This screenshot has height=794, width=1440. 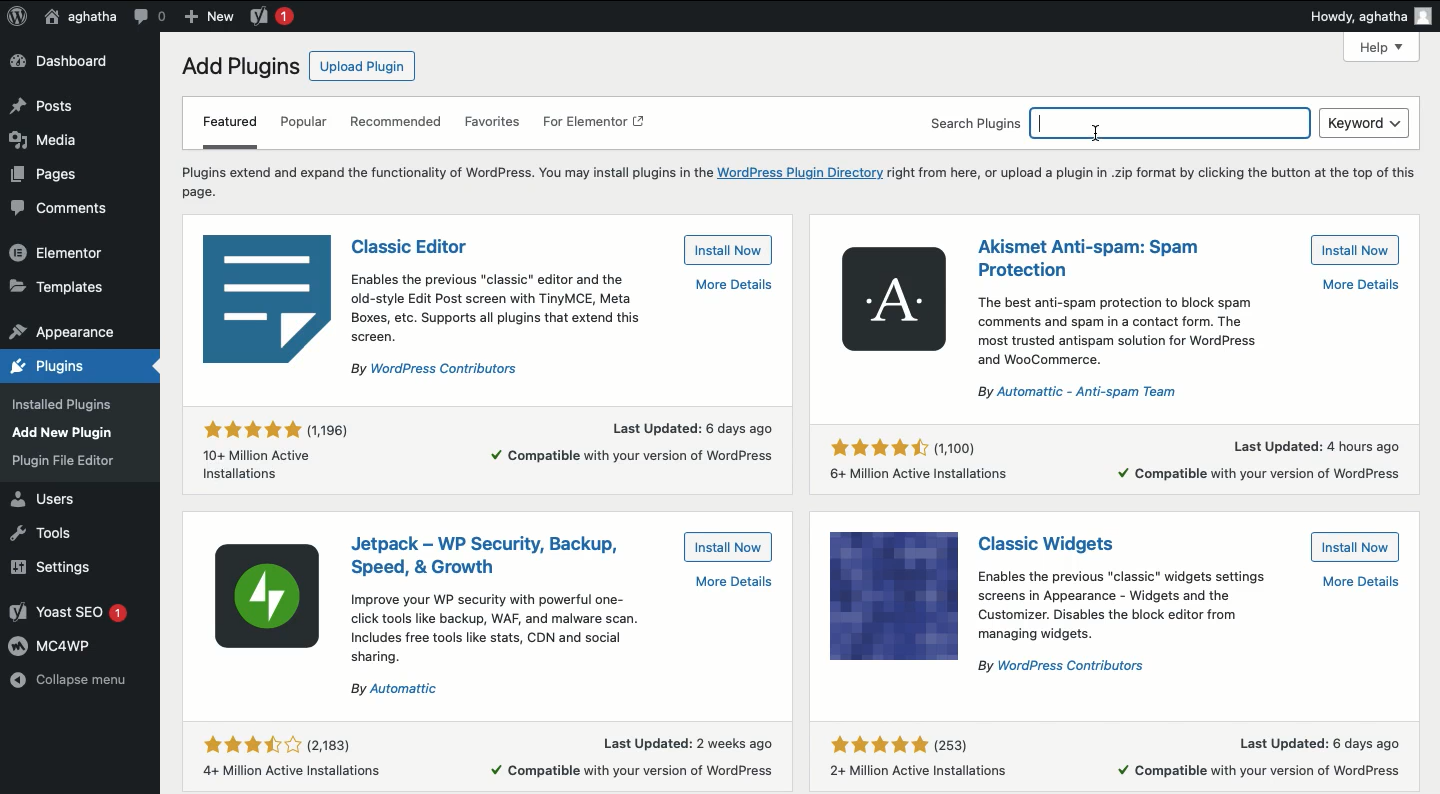 What do you see at coordinates (1191, 620) in the screenshot?
I see `Enables the previous "classic" widgets settings Mo
screens in Appearance - Widgets and the

Customize. Disables the block editor from

managing widgets.

By WordPress Contributors` at bounding box center [1191, 620].